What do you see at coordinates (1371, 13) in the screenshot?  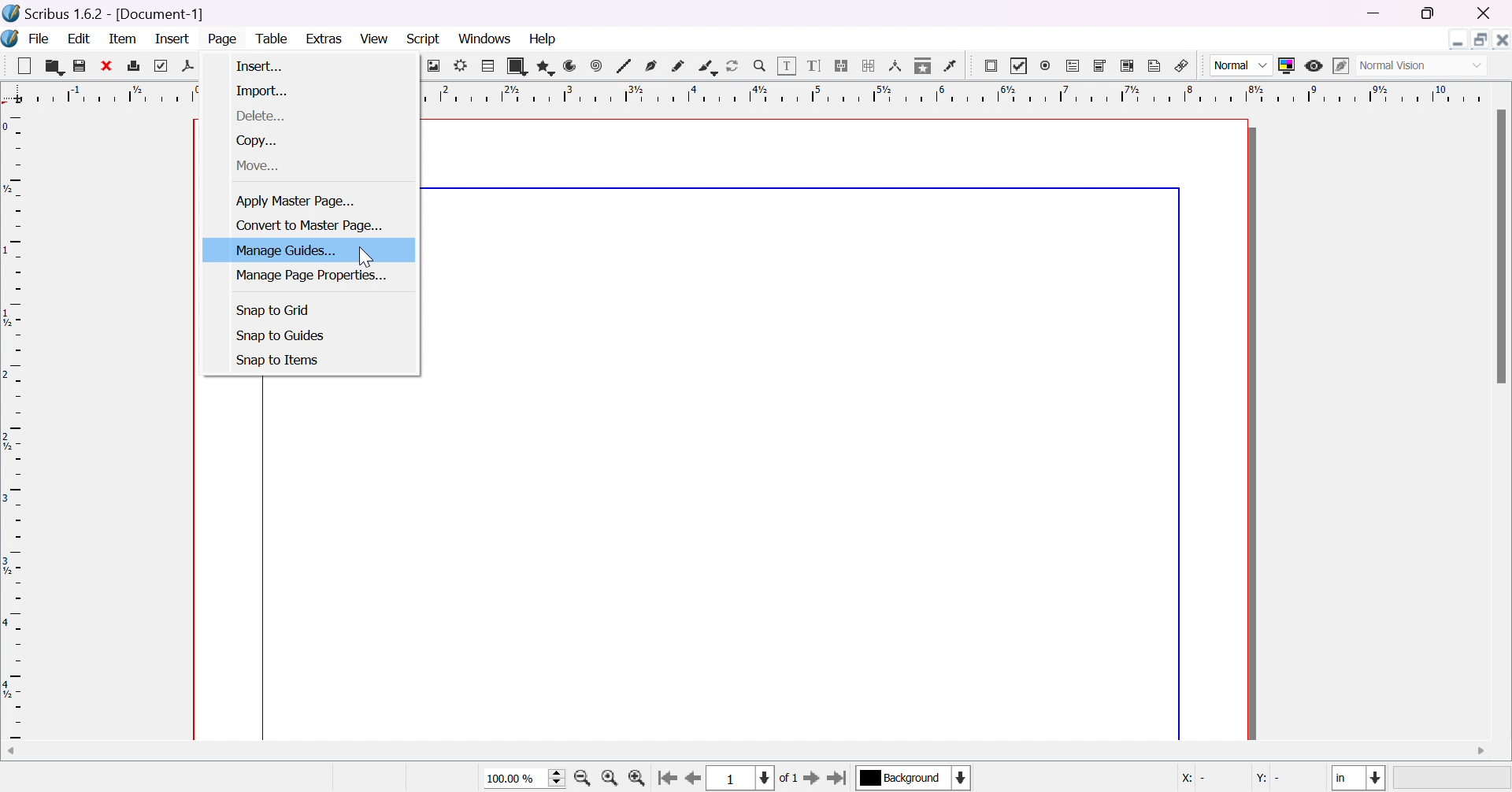 I see `minimize` at bounding box center [1371, 13].